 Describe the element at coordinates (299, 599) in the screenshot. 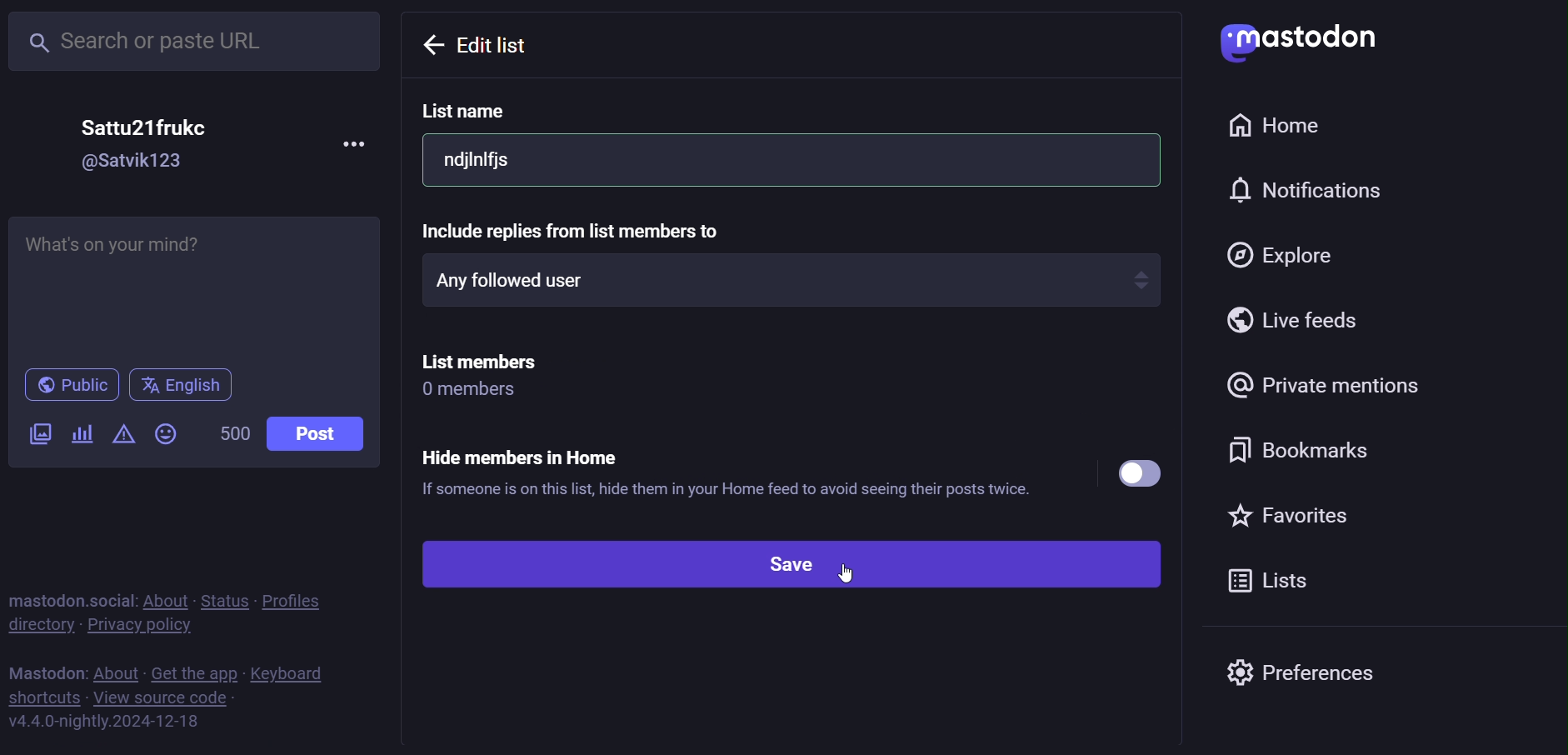

I see `profiles` at that location.